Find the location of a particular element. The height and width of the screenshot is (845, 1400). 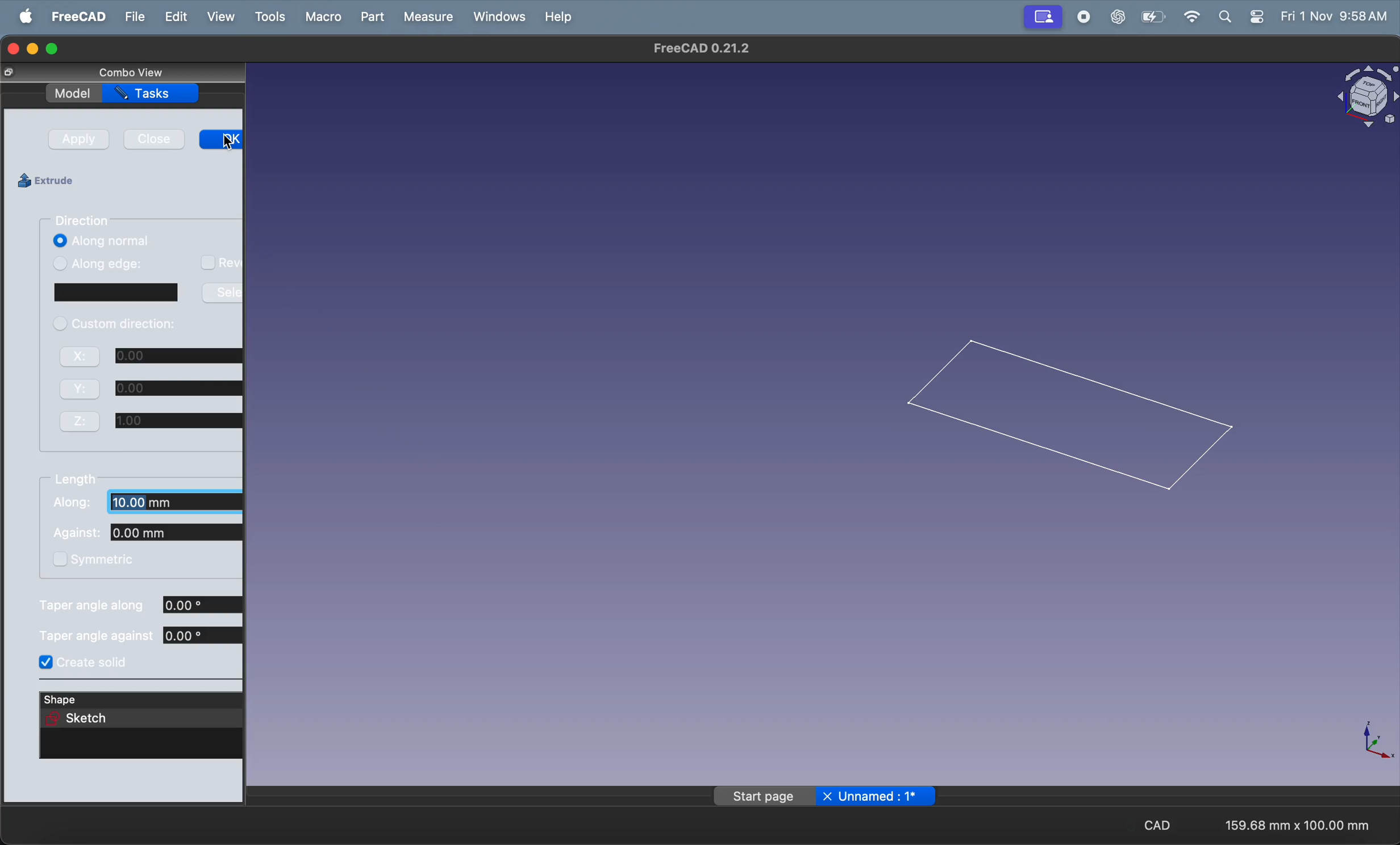

help is located at coordinates (559, 20).